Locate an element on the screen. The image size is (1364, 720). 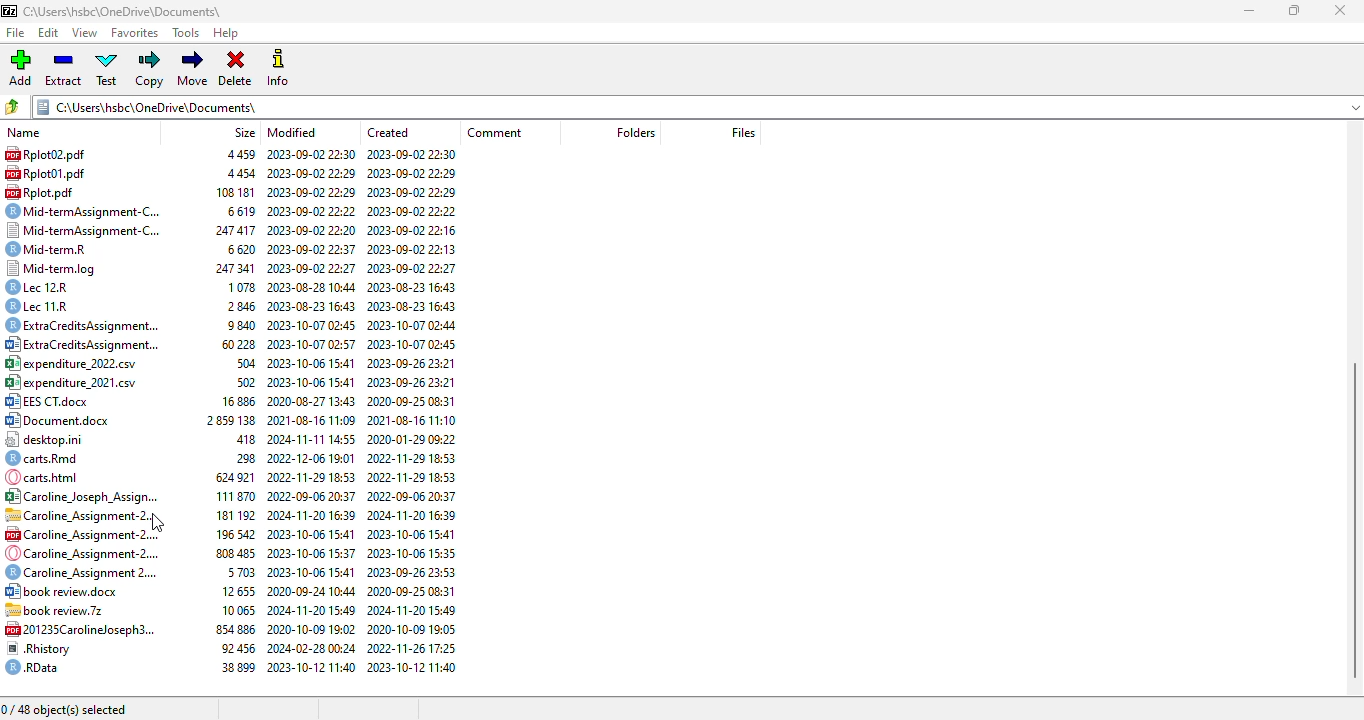
10 065 is located at coordinates (237, 609).